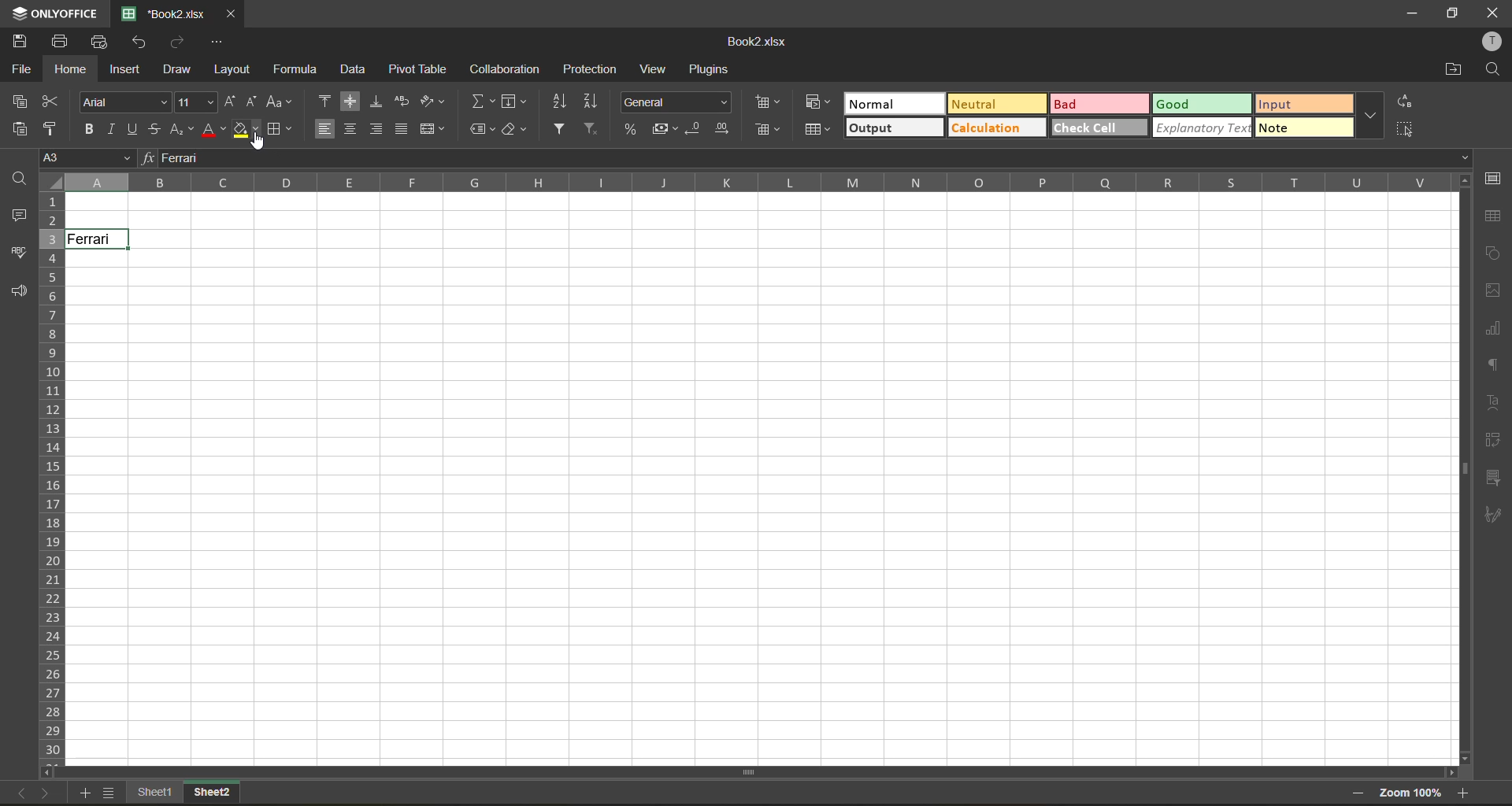  What do you see at coordinates (1201, 128) in the screenshot?
I see `explanatory text` at bounding box center [1201, 128].